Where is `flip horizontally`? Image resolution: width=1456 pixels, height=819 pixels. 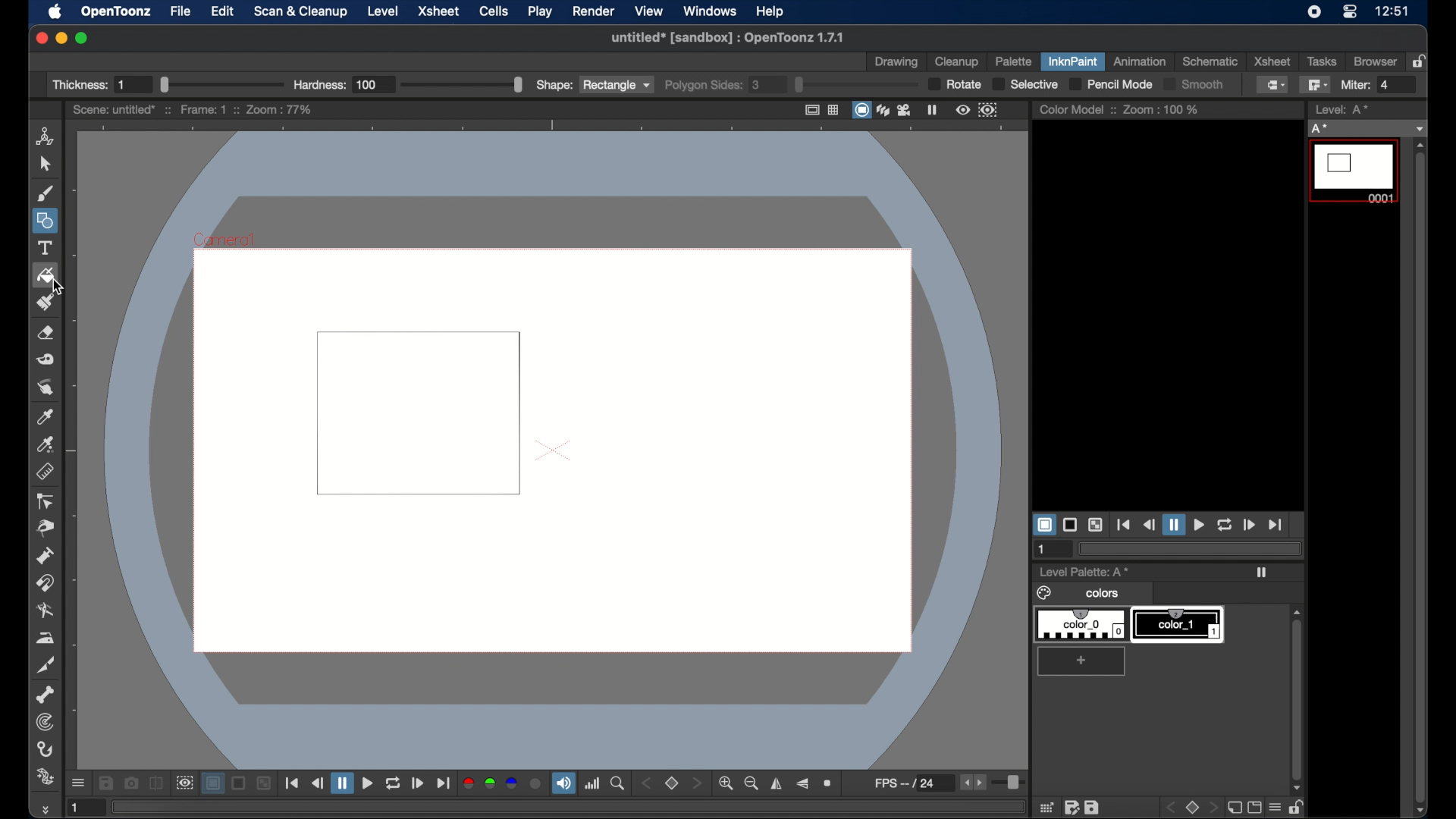
flip horizontally is located at coordinates (777, 783).